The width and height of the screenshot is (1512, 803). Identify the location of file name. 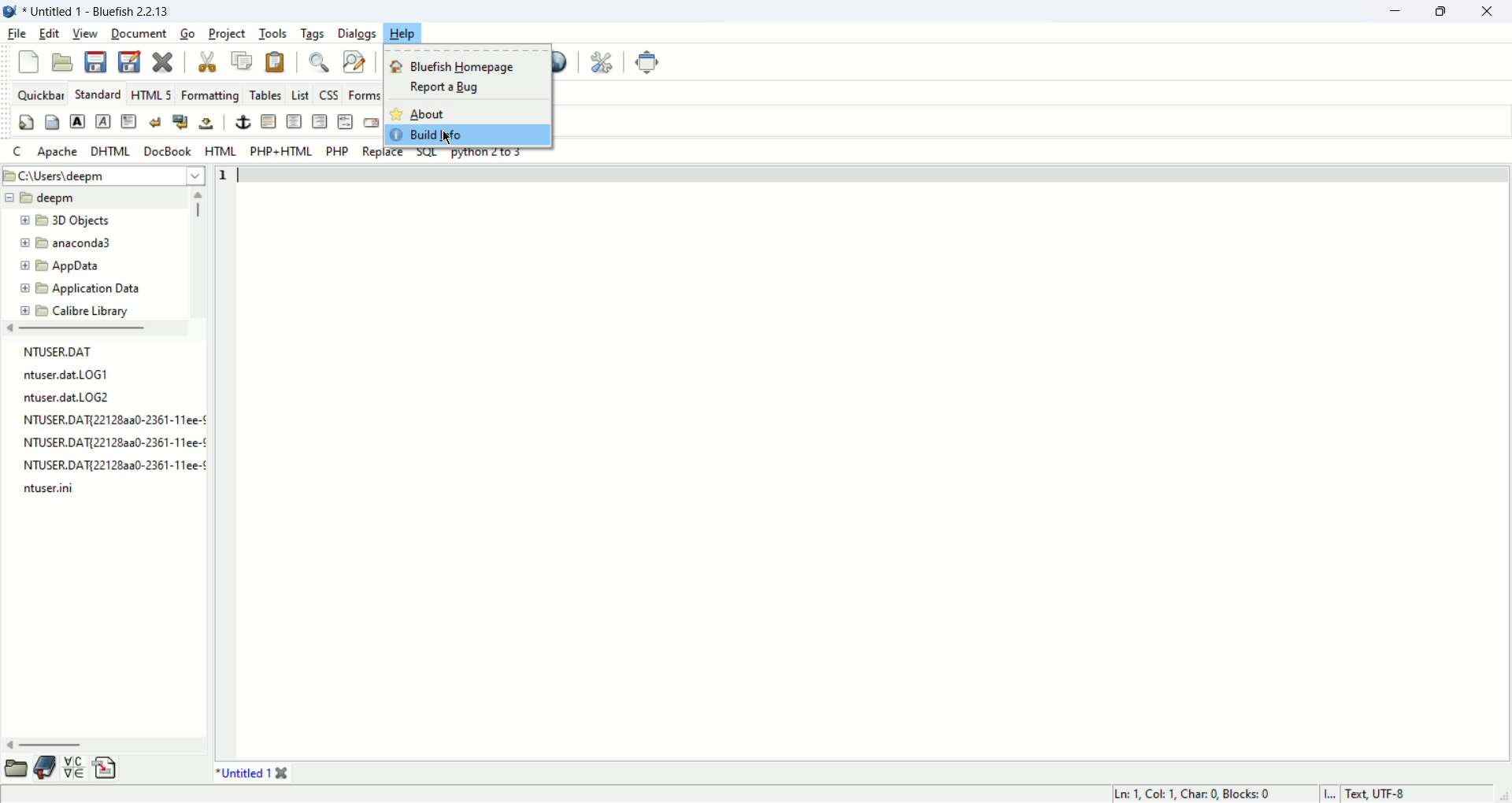
(50, 350).